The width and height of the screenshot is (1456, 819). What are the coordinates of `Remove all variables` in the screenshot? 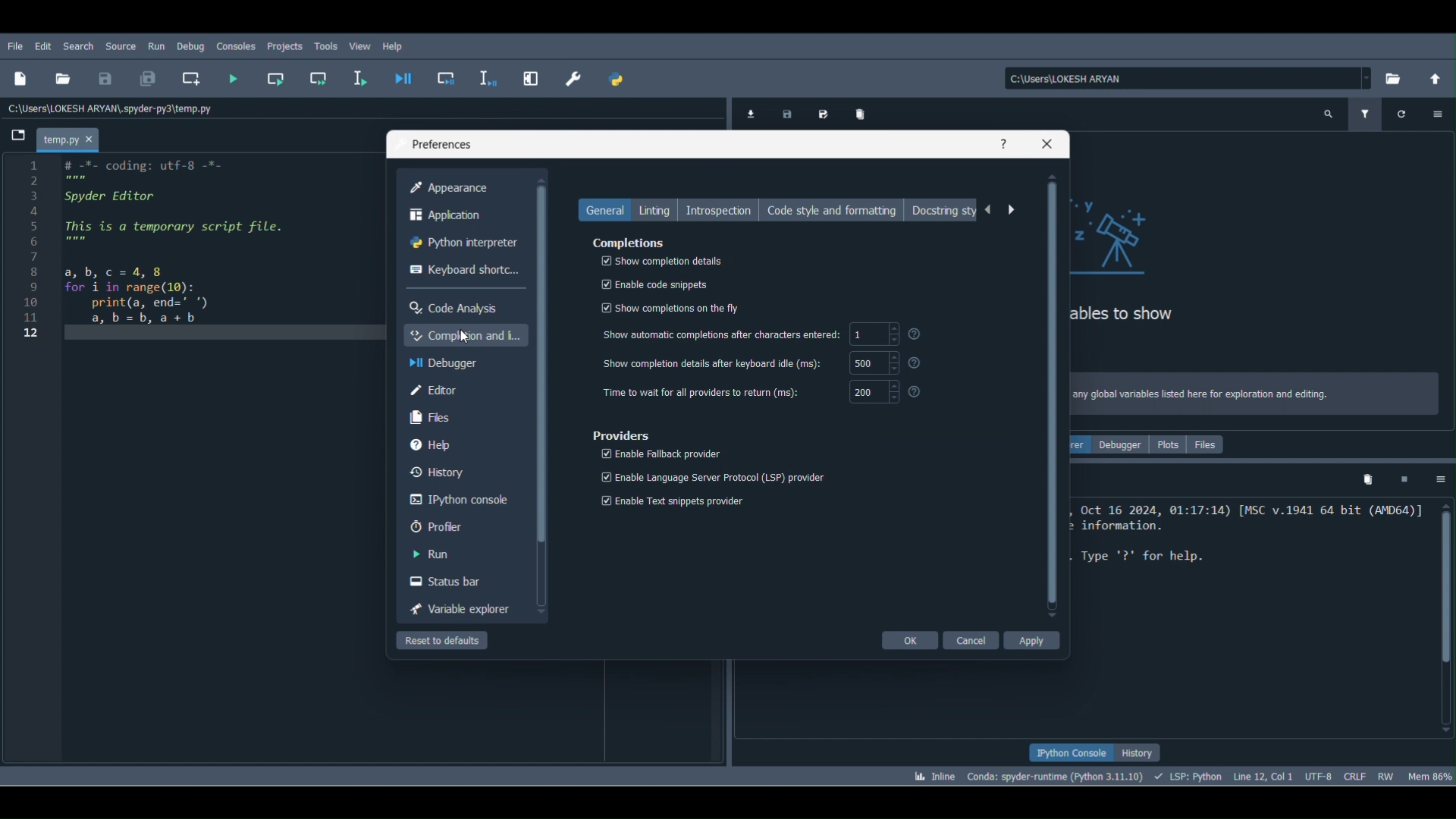 It's located at (1370, 480).